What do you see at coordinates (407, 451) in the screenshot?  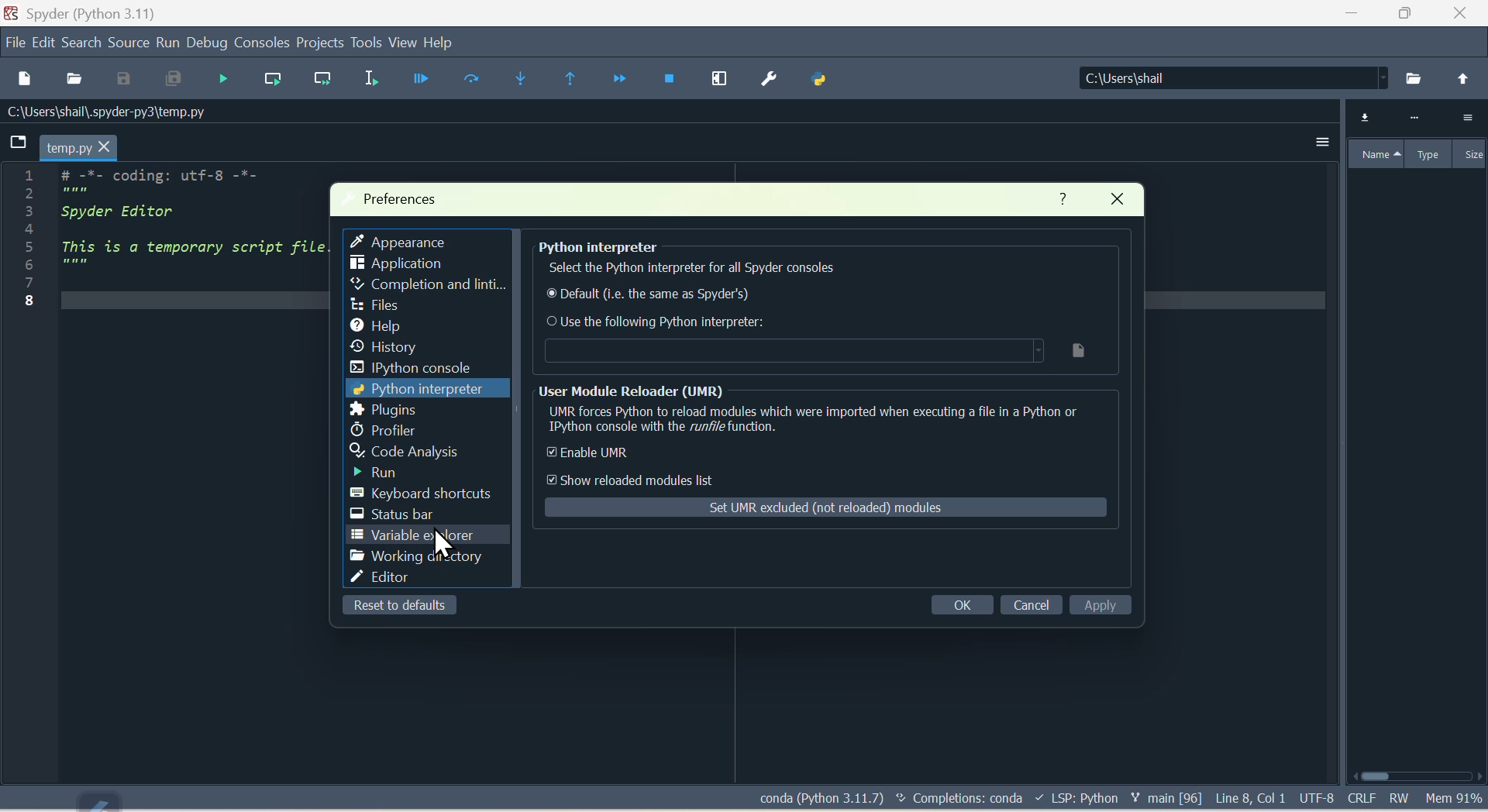 I see `Code analysis` at bounding box center [407, 451].